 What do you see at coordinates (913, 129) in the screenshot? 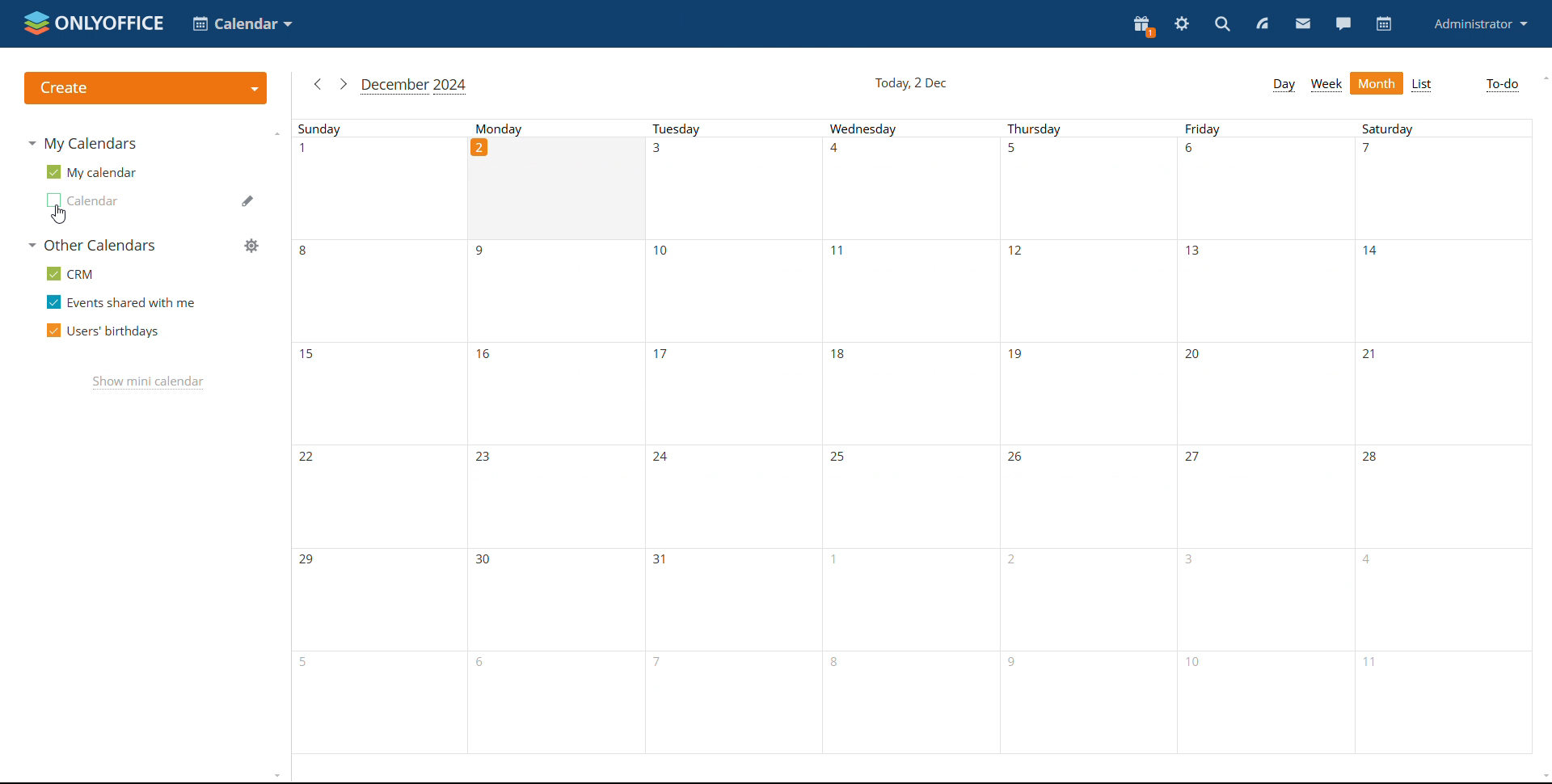
I see `wednesday` at bounding box center [913, 129].